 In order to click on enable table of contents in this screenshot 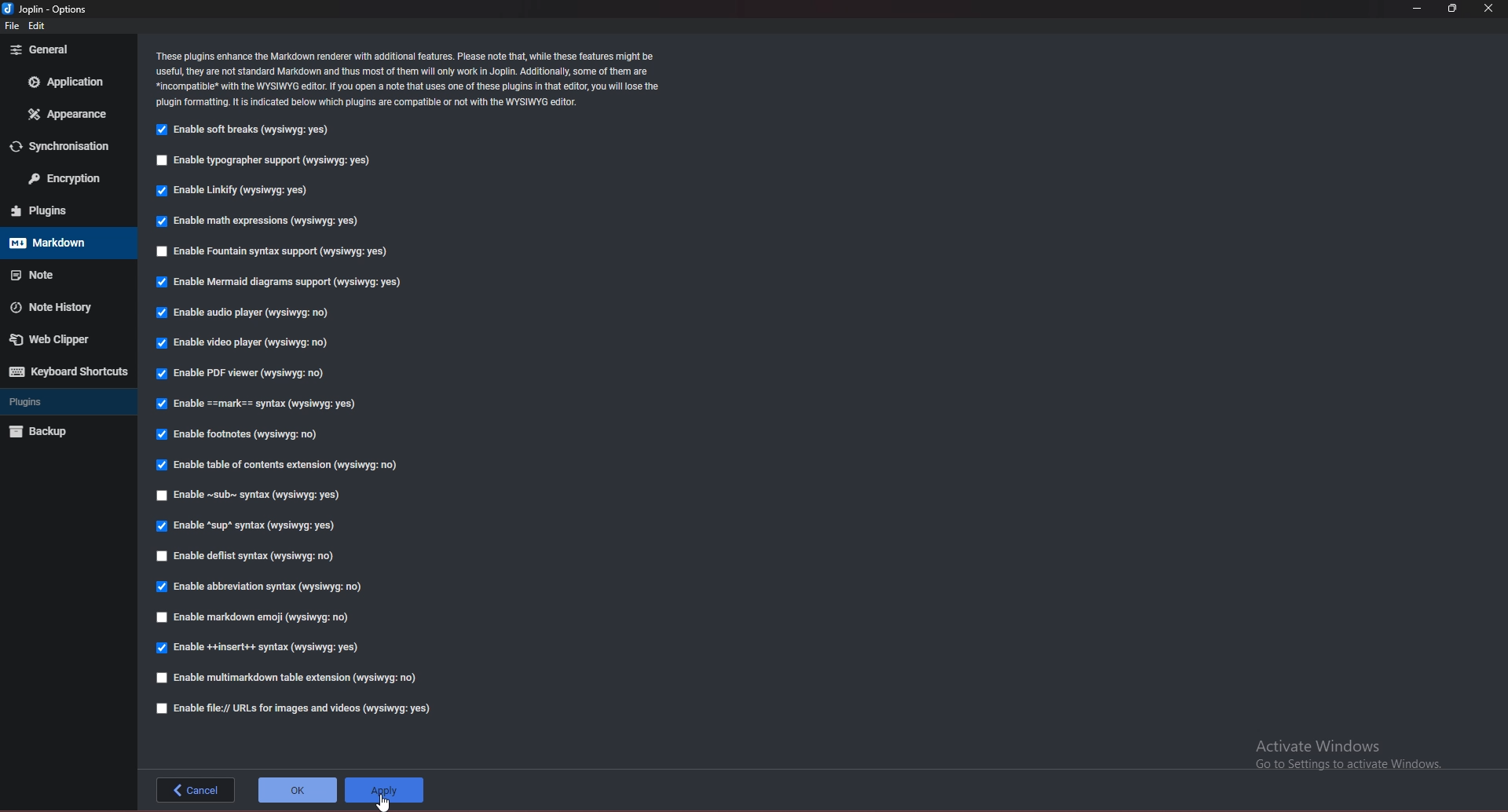, I will do `click(281, 464)`.